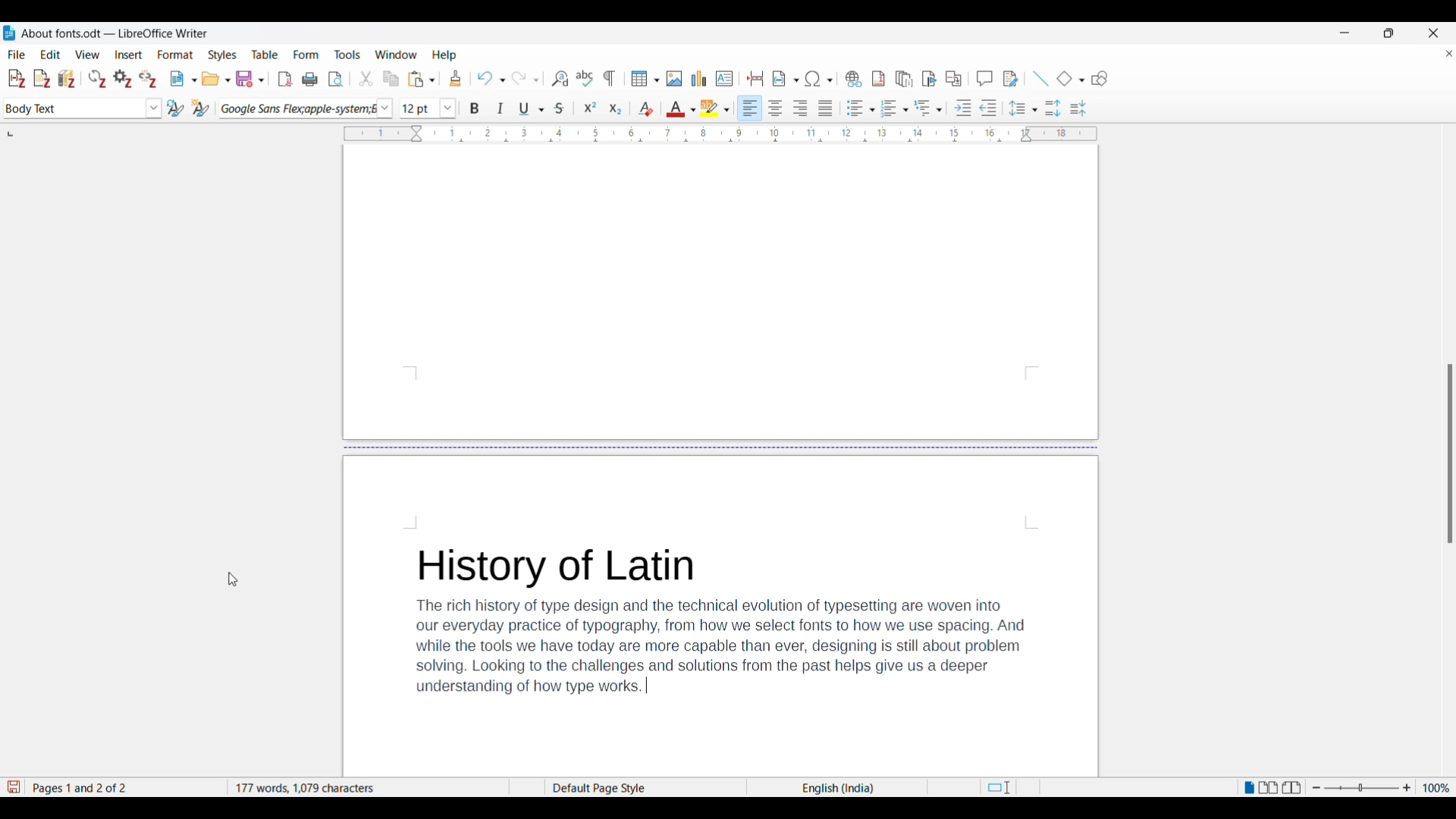 This screenshot has height=819, width=1456. Describe the element at coordinates (13, 787) in the screenshot. I see `Indicates modifications in the document that require changes` at that location.